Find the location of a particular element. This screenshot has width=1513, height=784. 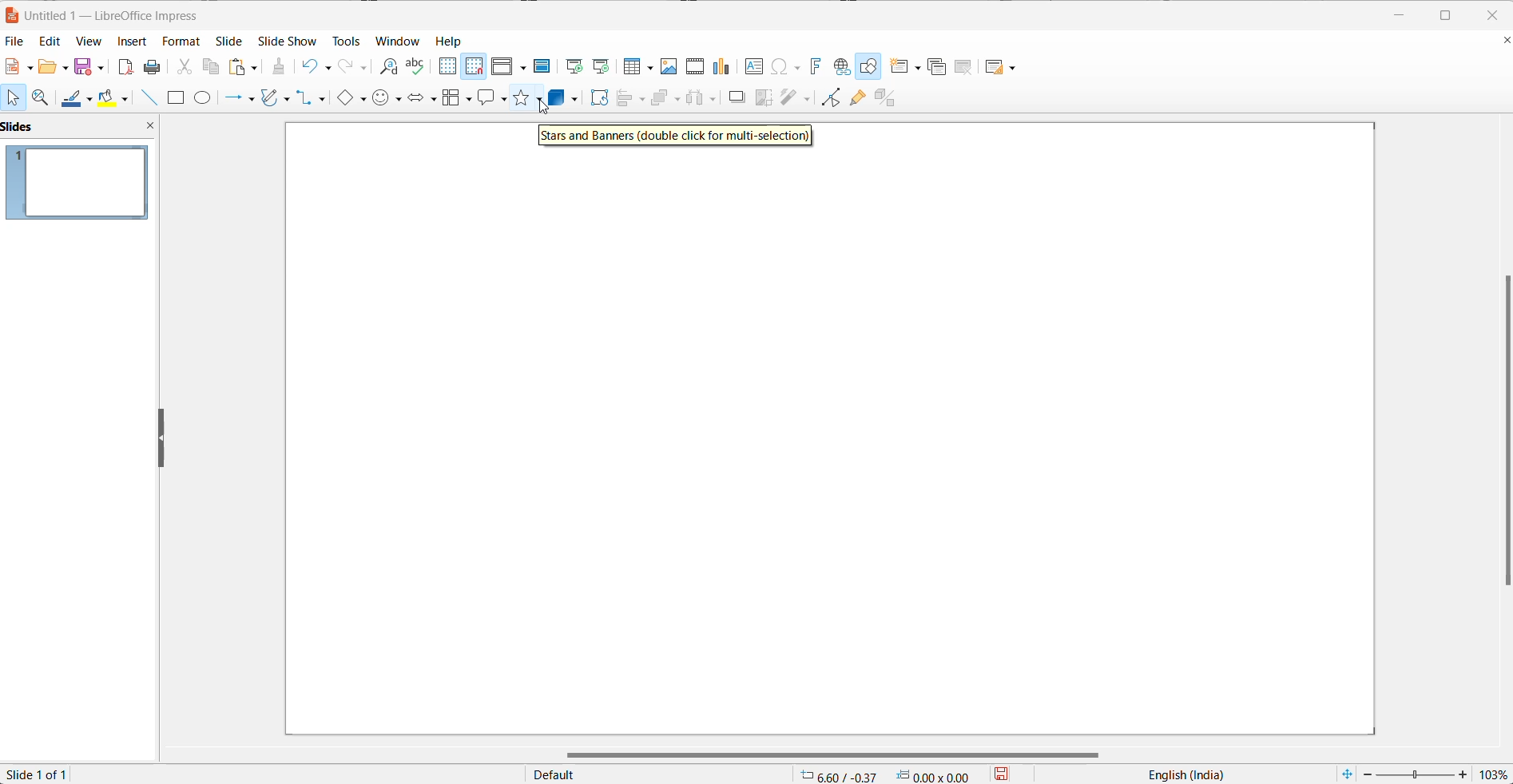

basic shapes is located at coordinates (354, 99).